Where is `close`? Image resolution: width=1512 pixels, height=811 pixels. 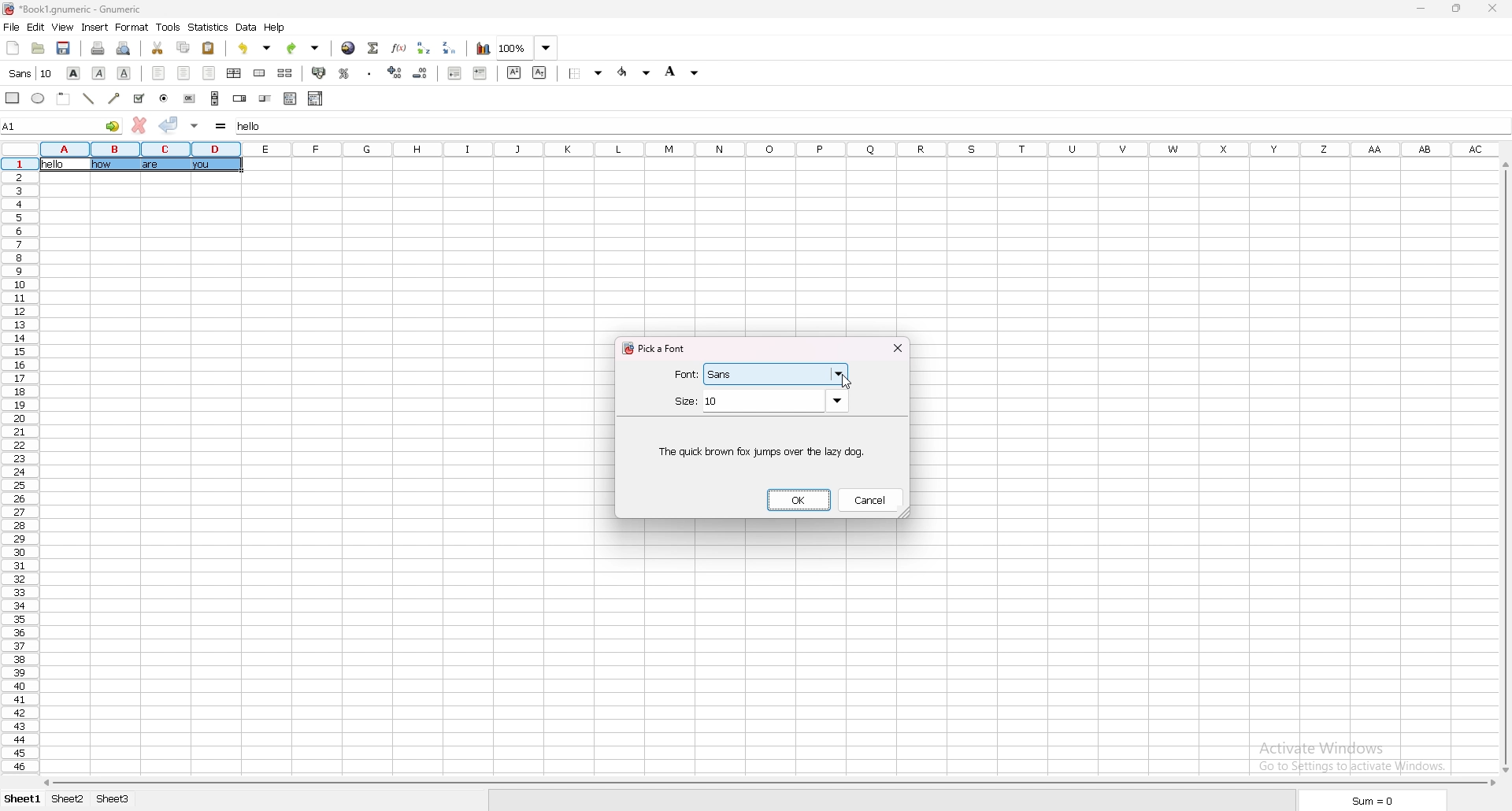
close is located at coordinates (898, 347).